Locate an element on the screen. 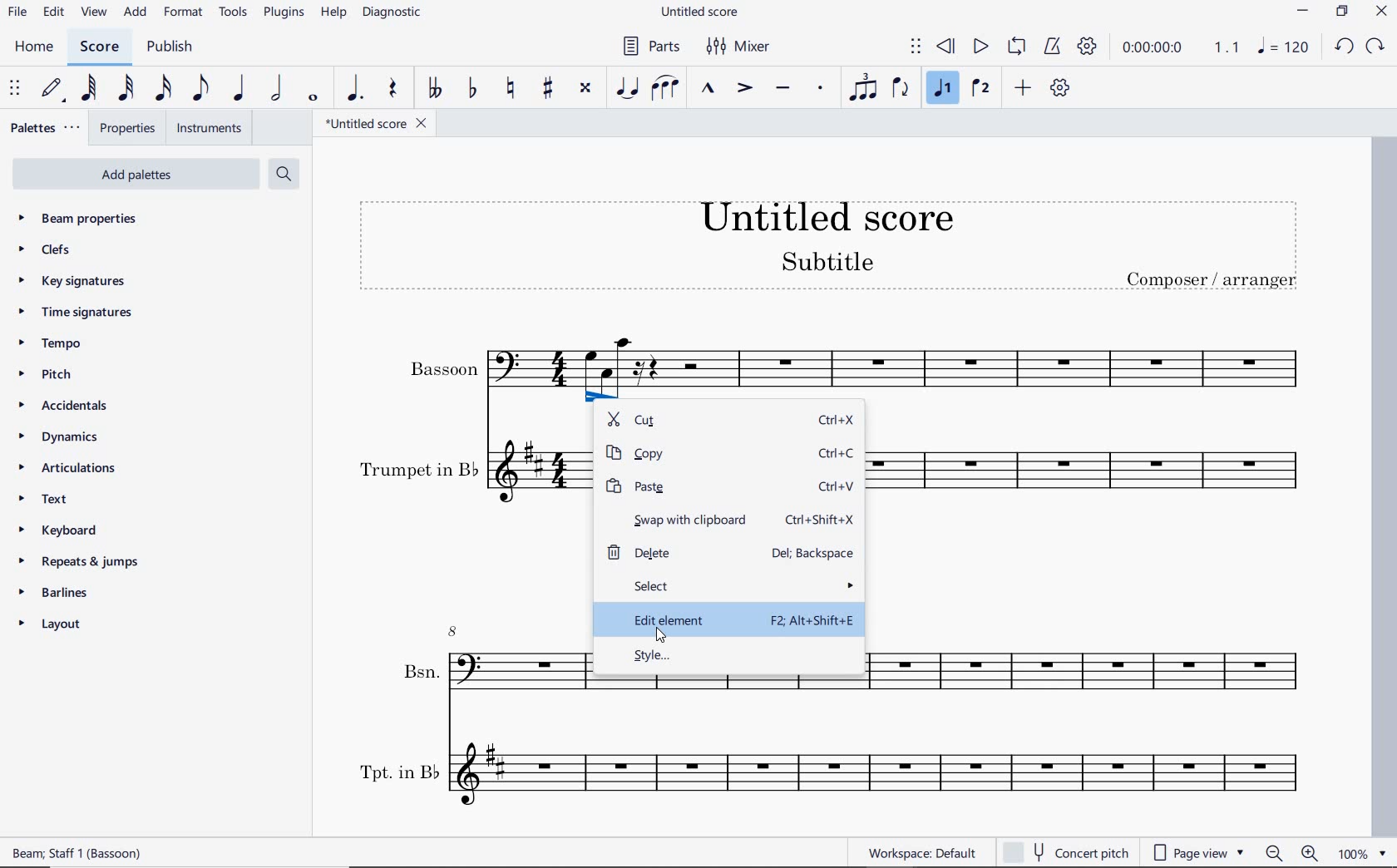  Bassoon is located at coordinates (838, 370).